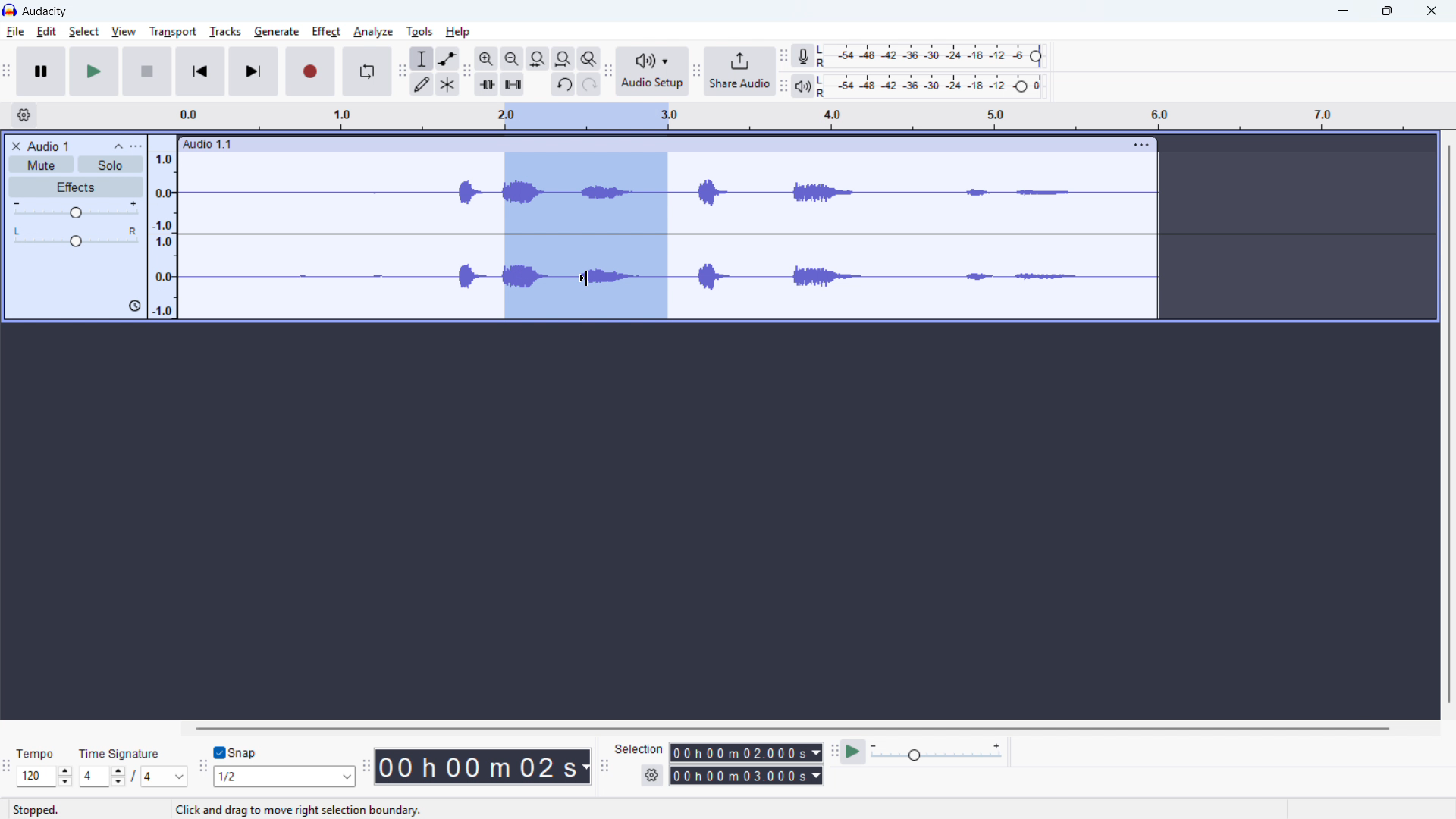 The height and width of the screenshot is (819, 1456). I want to click on Fit project to width, so click(563, 58).